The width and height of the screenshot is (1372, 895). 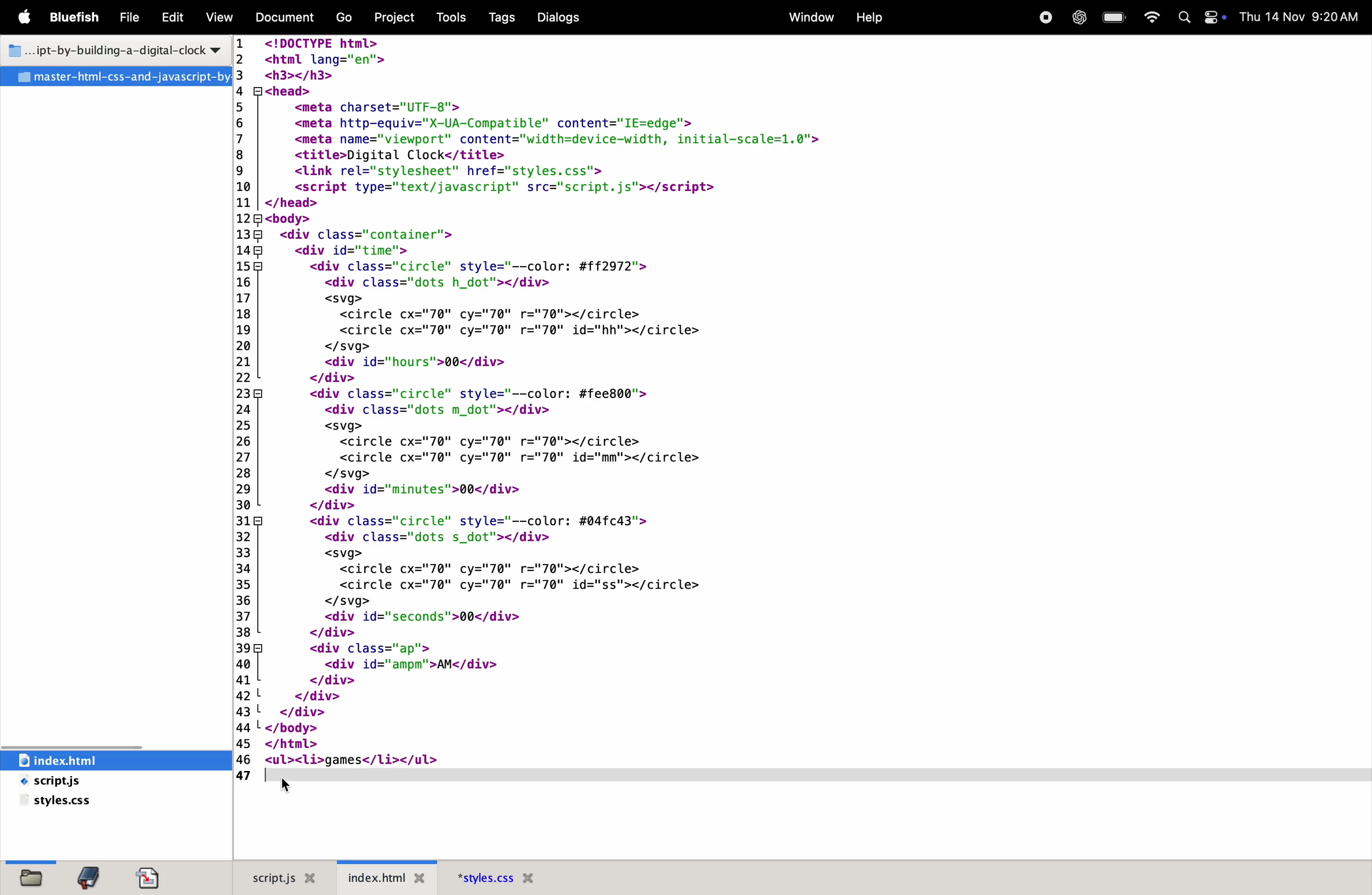 I want to click on cursor, so click(x=289, y=787).